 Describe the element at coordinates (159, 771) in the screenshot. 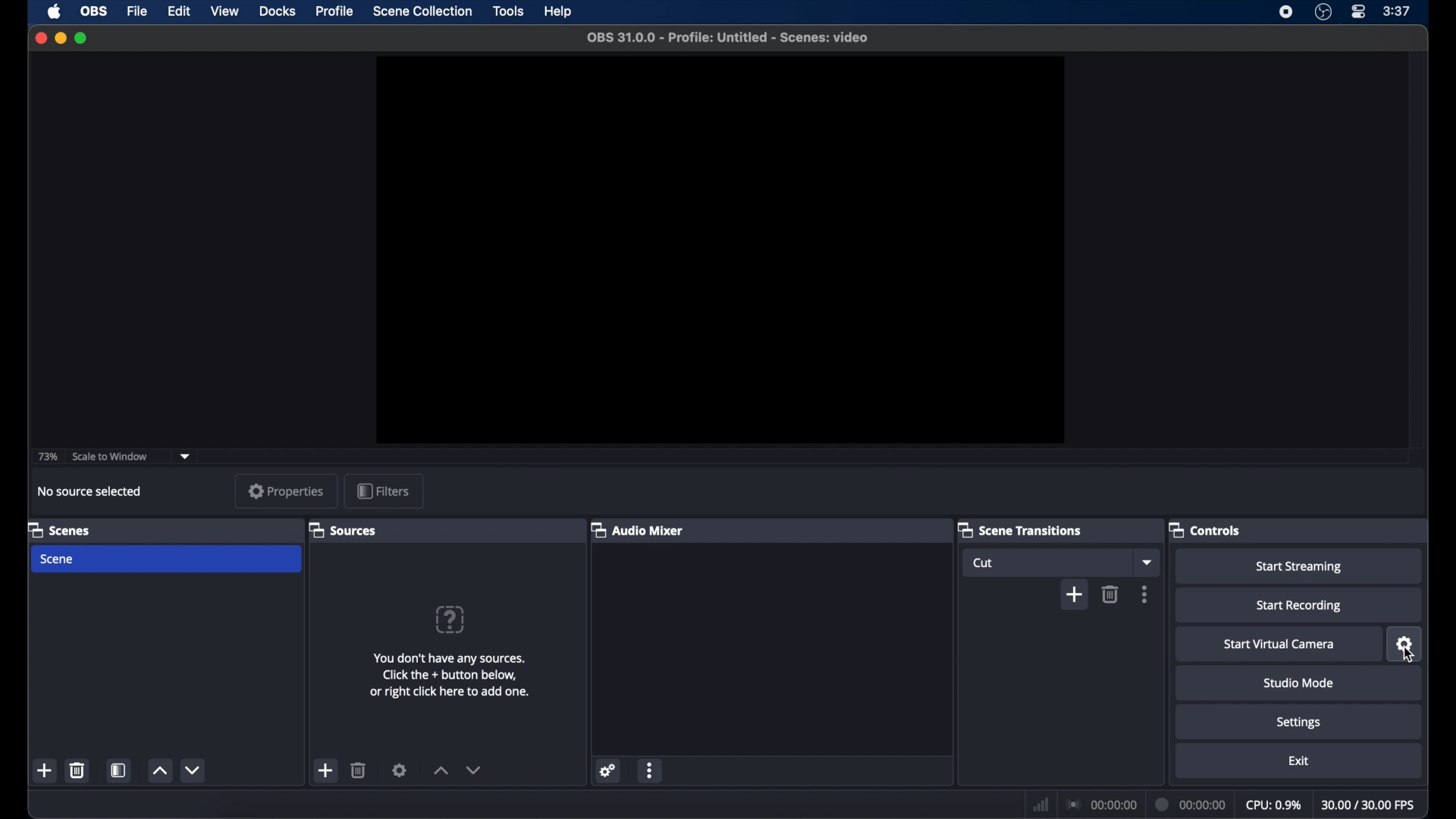

I see `increment` at that location.